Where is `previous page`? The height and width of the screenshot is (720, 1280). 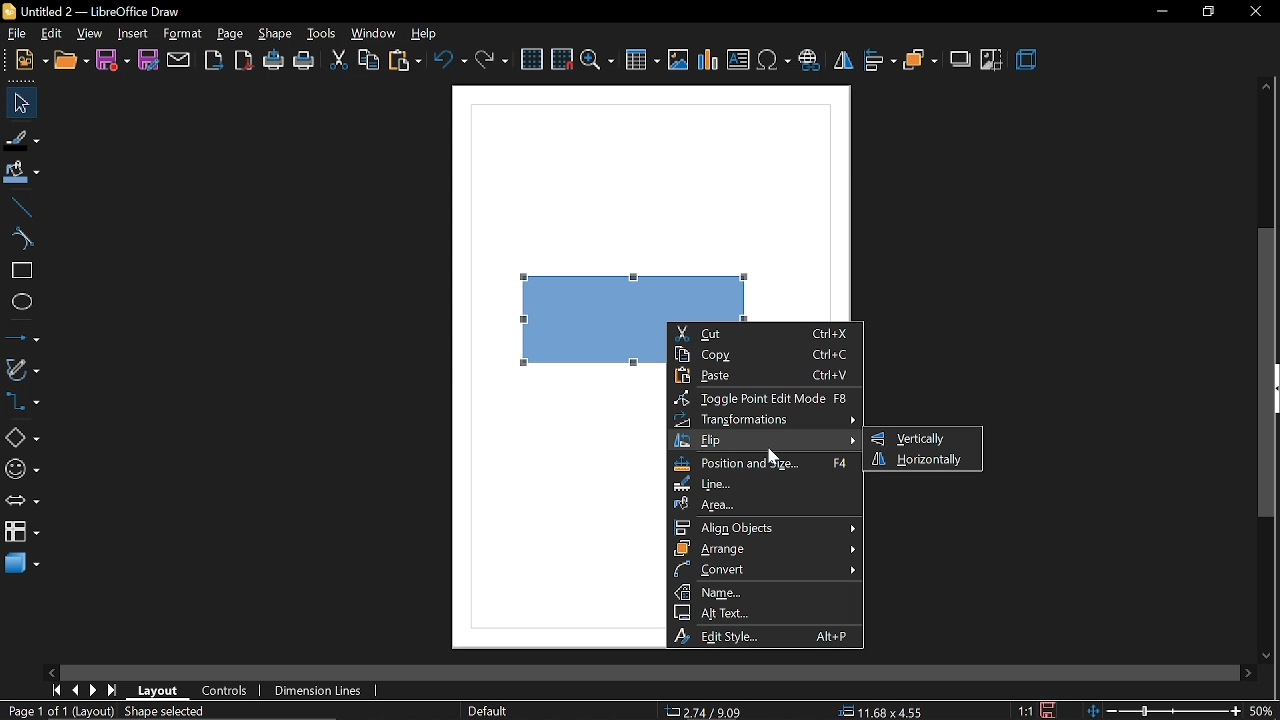
previous page is located at coordinates (77, 691).